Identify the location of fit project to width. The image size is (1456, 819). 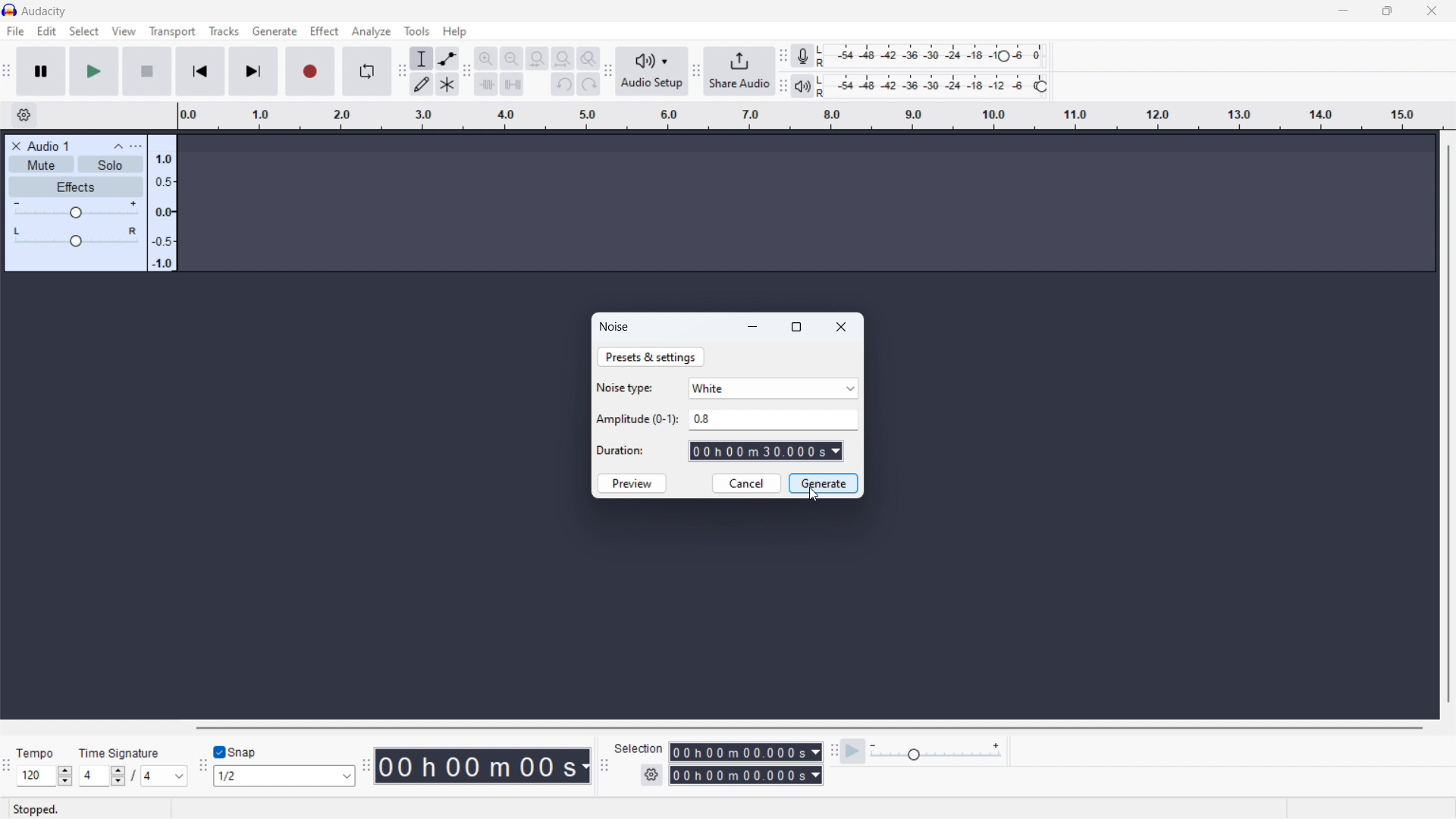
(563, 59).